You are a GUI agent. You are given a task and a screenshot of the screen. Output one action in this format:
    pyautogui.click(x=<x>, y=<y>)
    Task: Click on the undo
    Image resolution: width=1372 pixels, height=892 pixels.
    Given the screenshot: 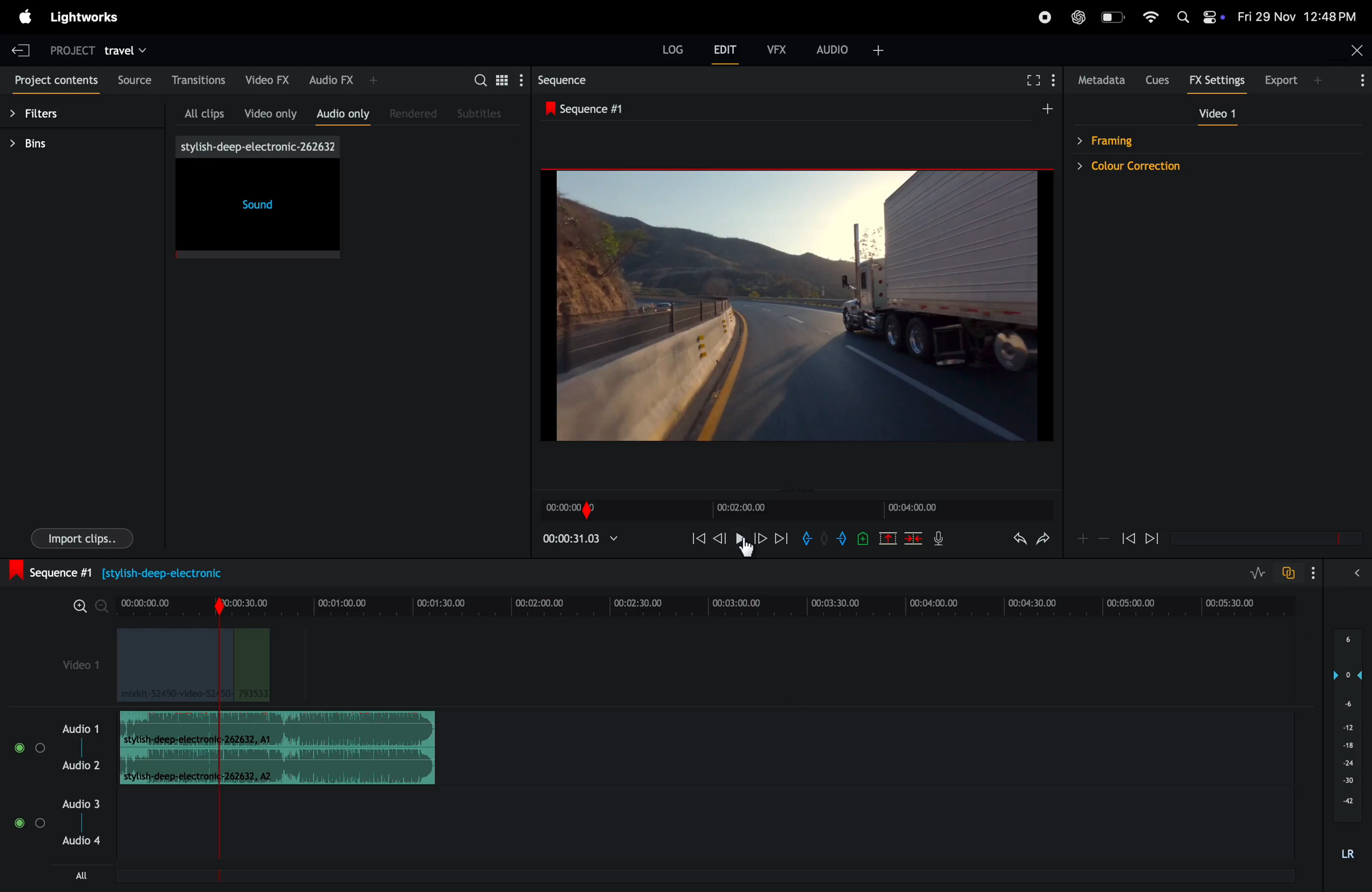 What is the action you would take?
    pyautogui.click(x=1011, y=541)
    